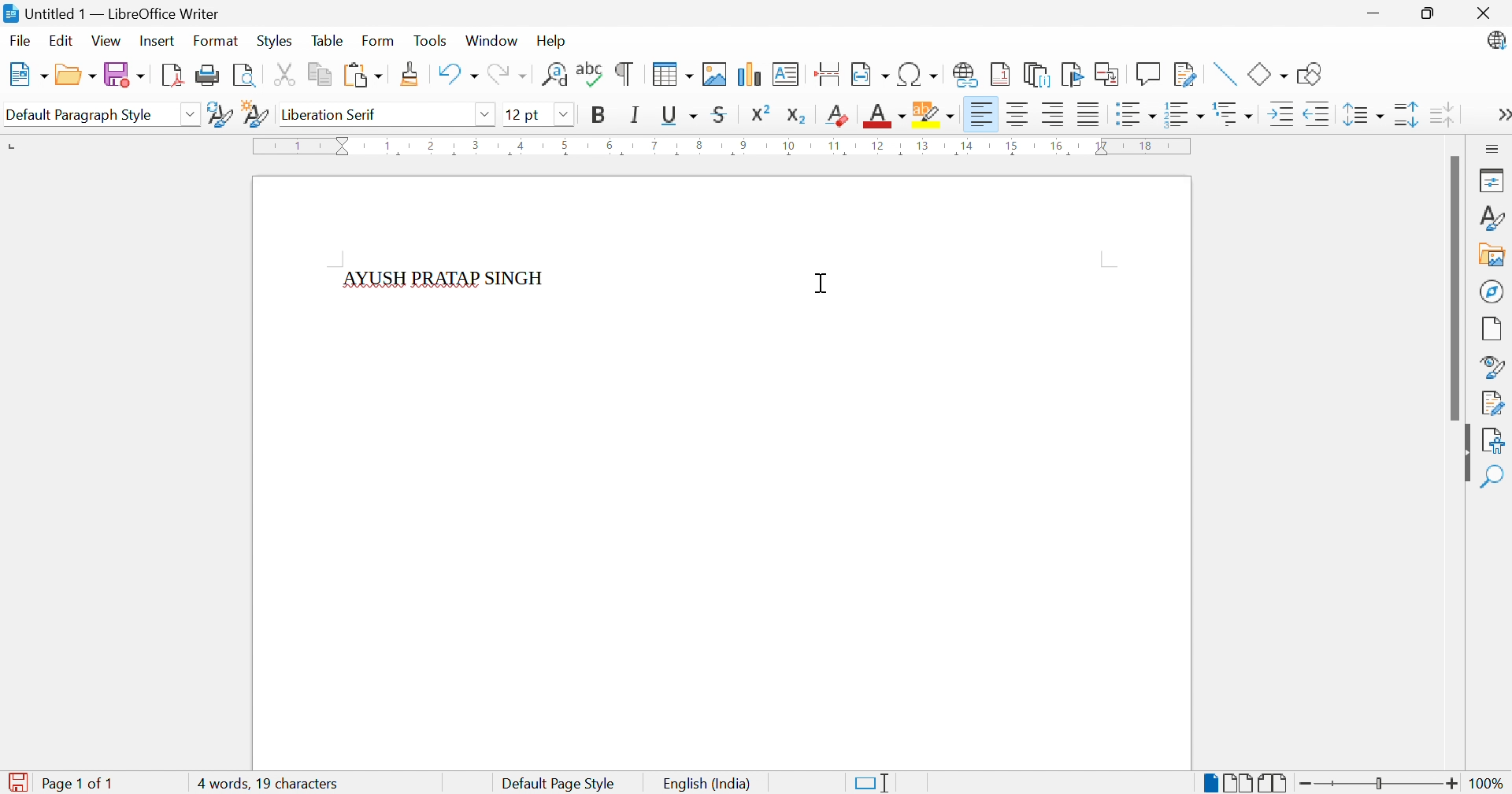  I want to click on Select Outline Format, so click(1235, 114).